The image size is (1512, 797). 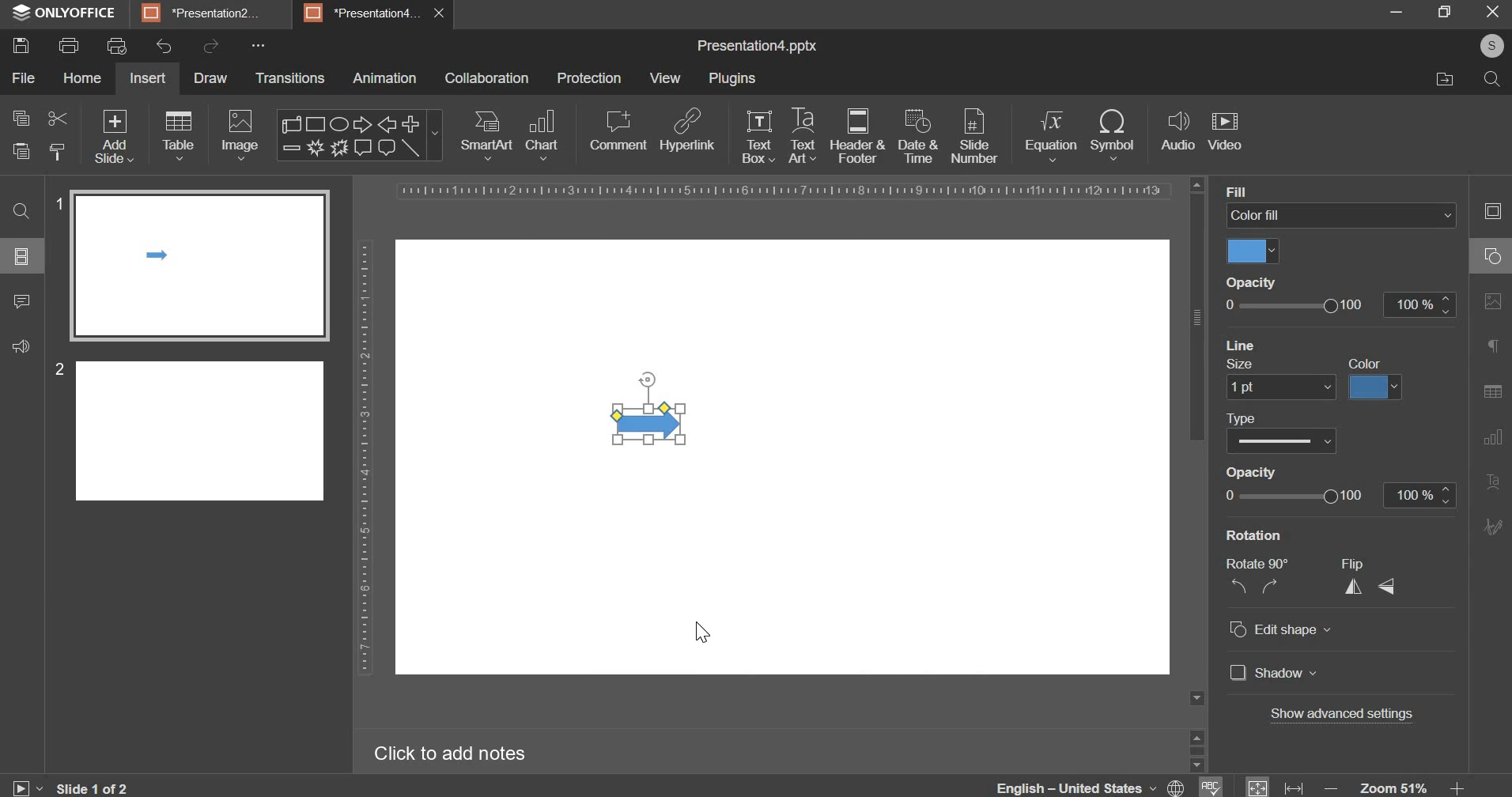 What do you see at coordinates (56, 150) in the screenshot?
I see `copy stlye` at bounding box center [56, 150].